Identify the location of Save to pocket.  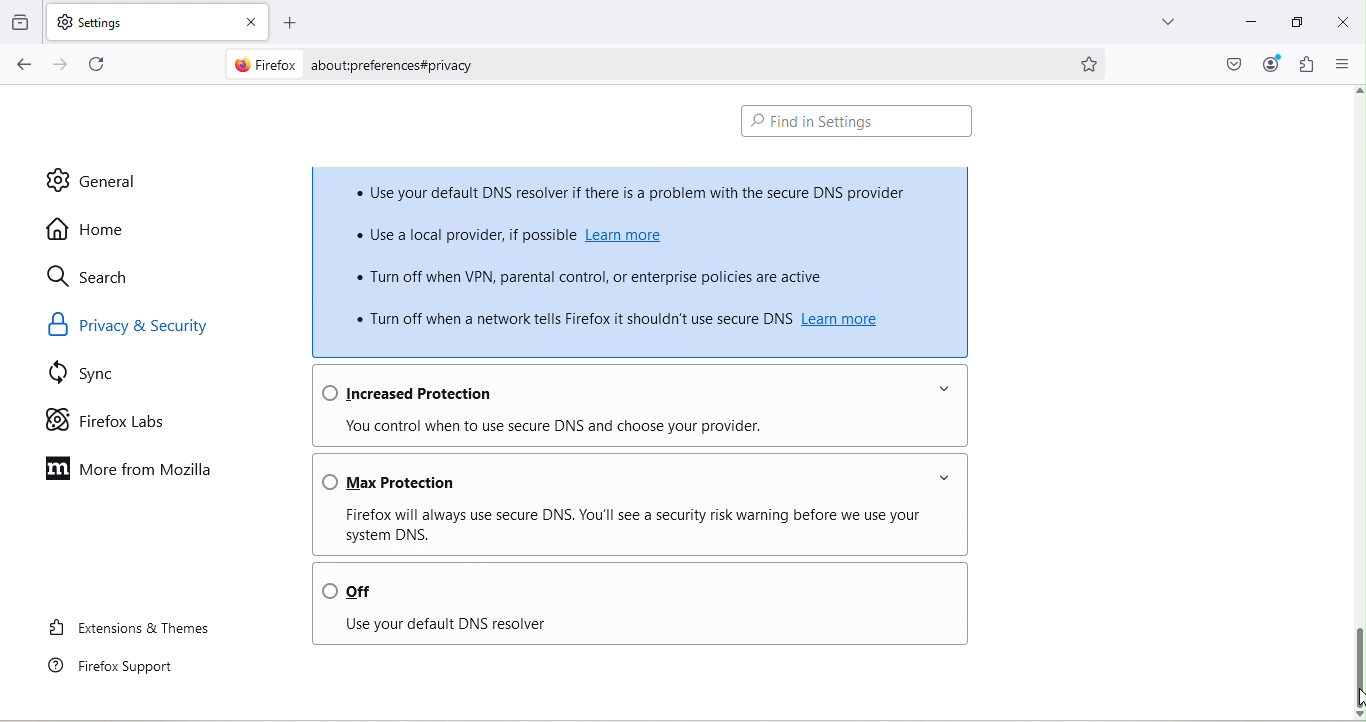
(1229, 62).